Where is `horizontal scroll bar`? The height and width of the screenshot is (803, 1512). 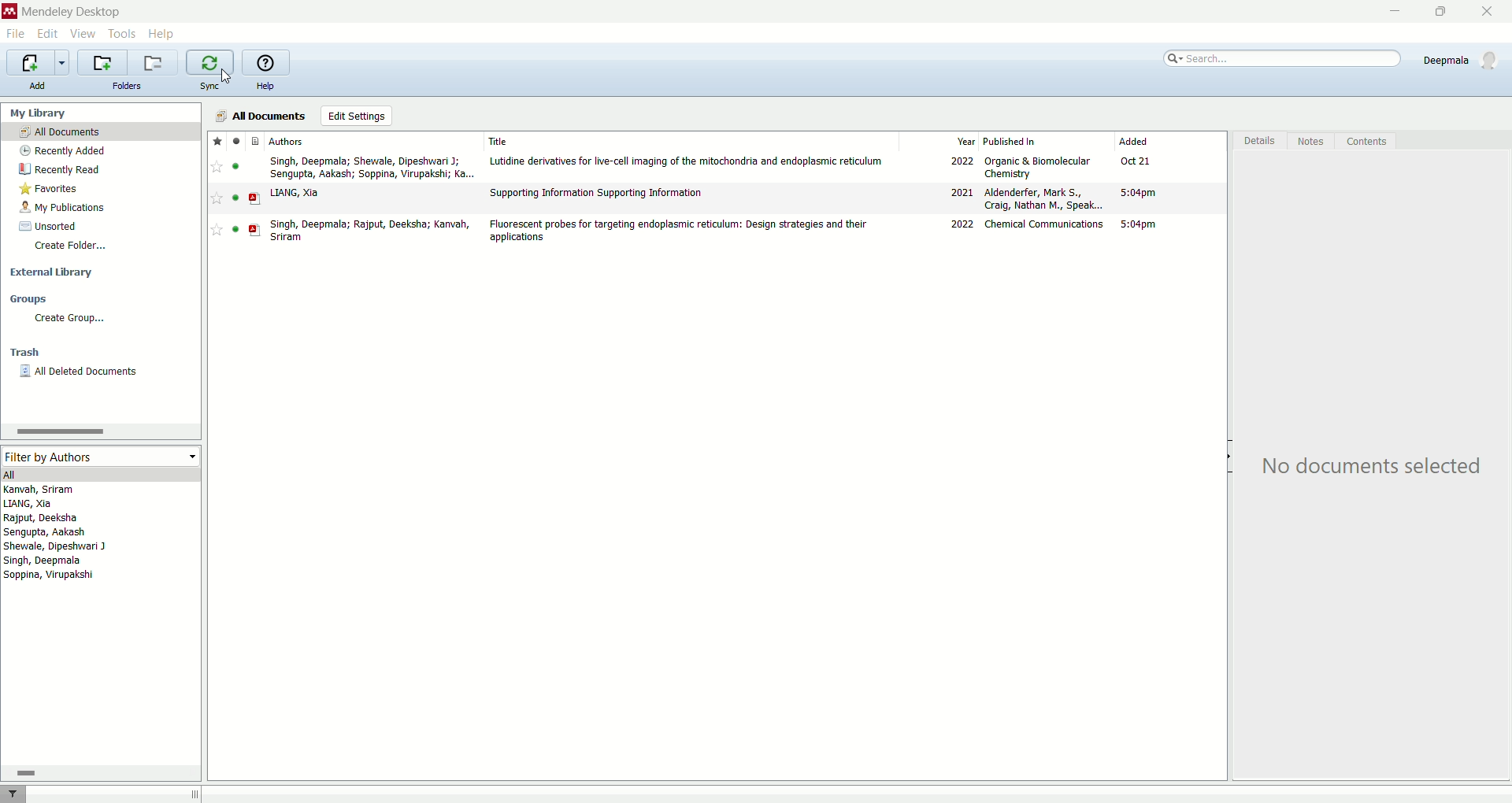
horizontal scroll bar is located at coordinates (101, 431).